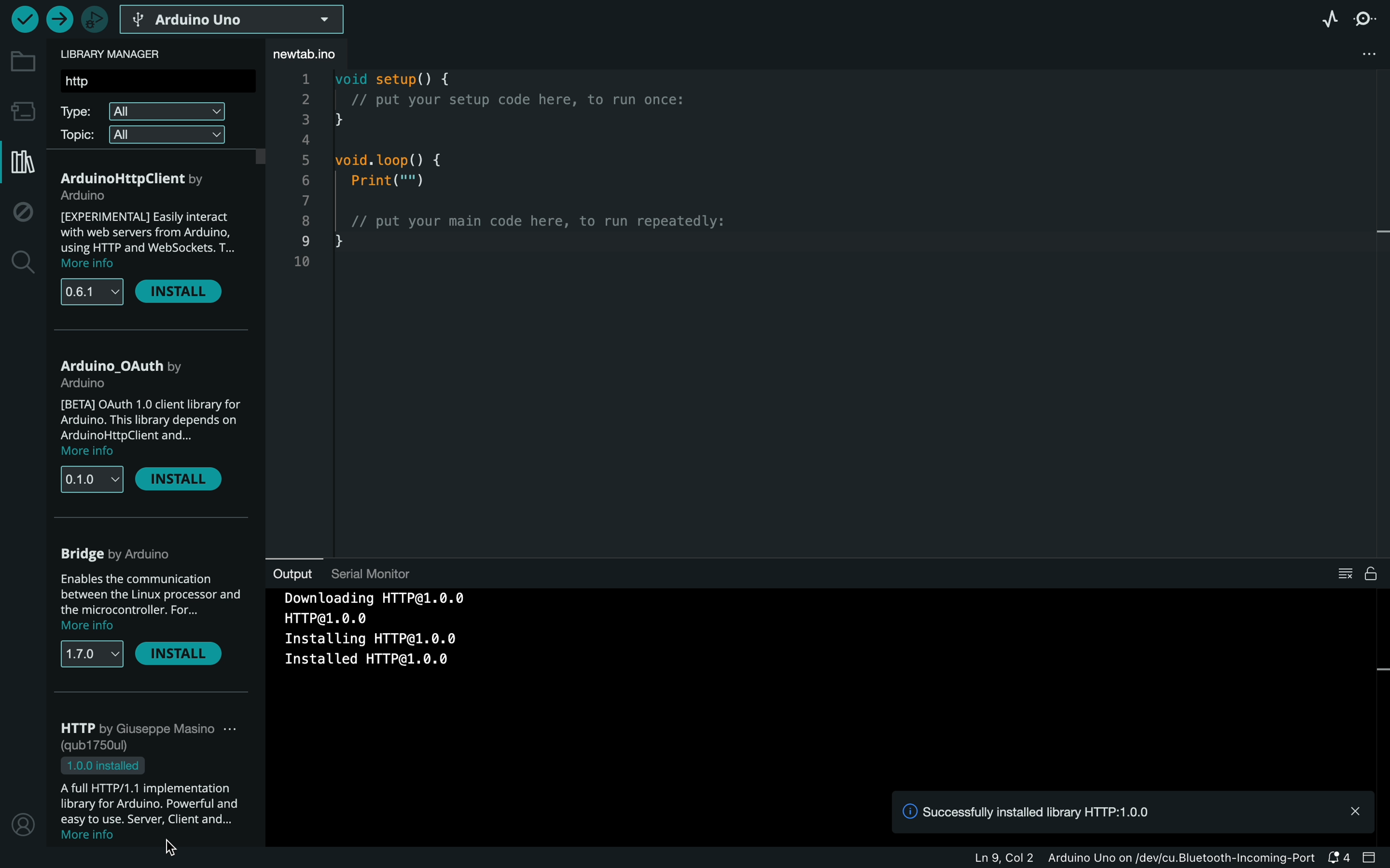  What do you see at coordinates (516, 189) in the screenshot?
I see `code` at bounding box center [516, 189].